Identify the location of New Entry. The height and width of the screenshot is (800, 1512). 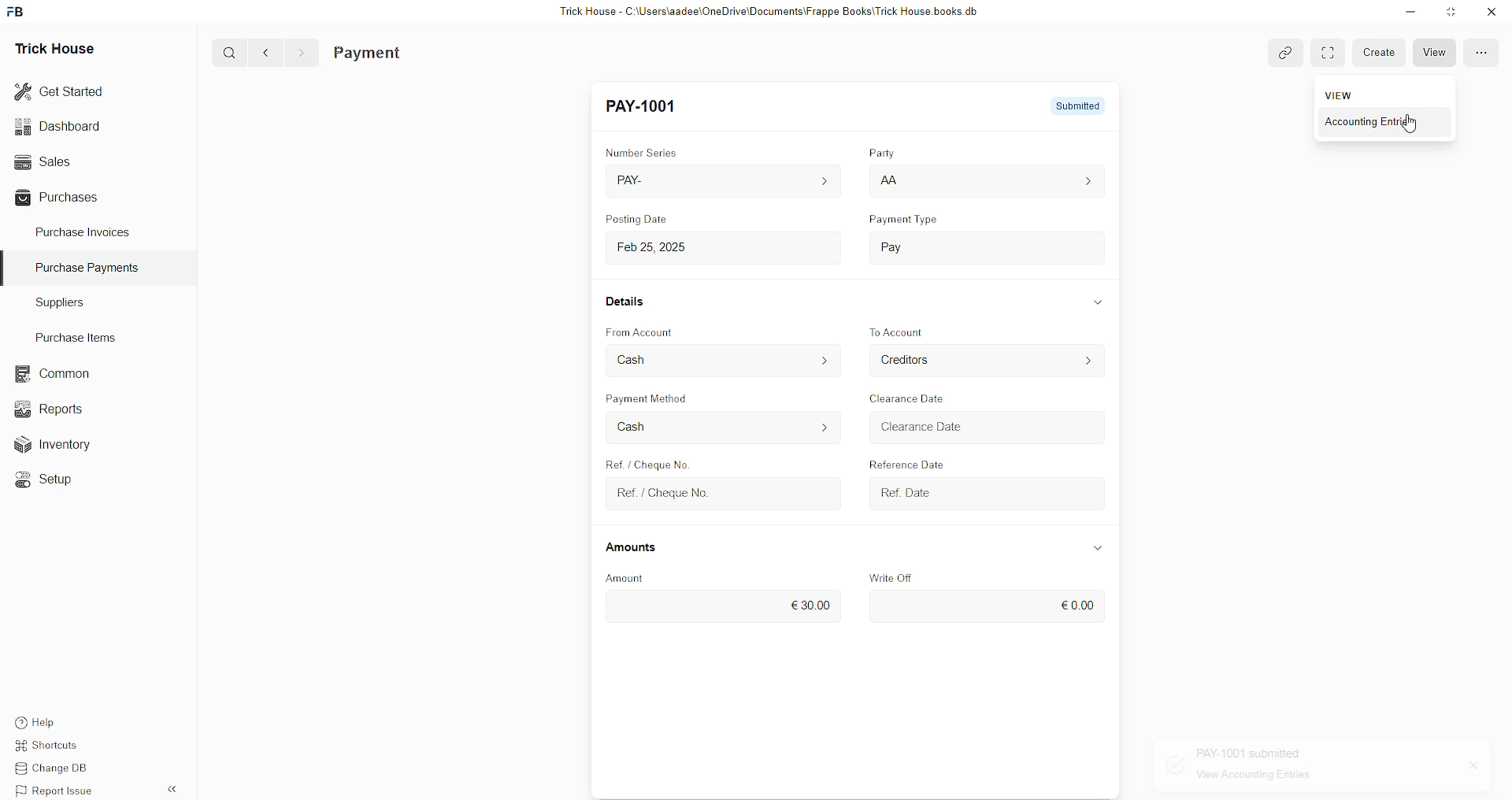
(649, 107).